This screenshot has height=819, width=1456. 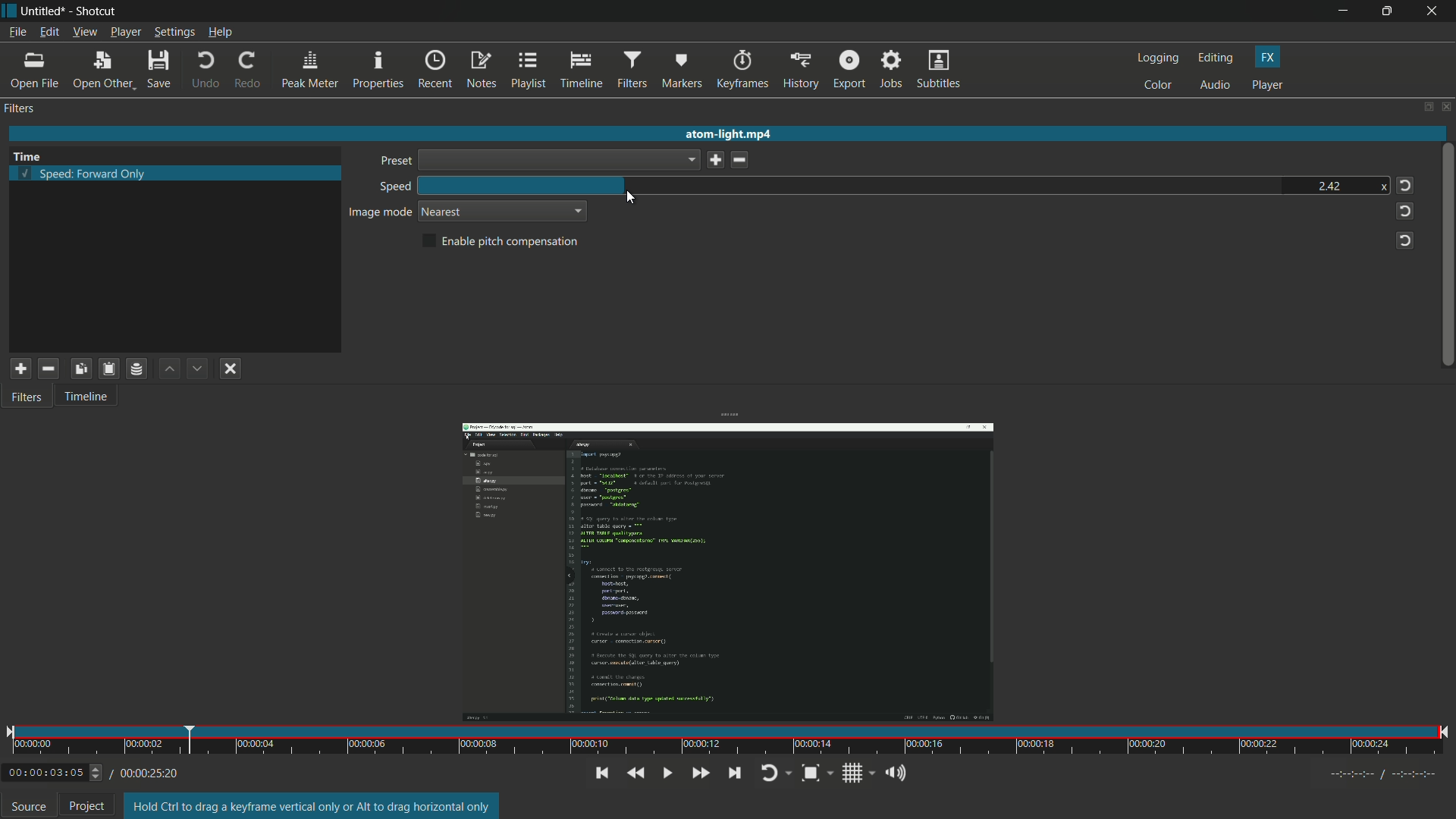 I want to click on source, so click(x=29, y=806).